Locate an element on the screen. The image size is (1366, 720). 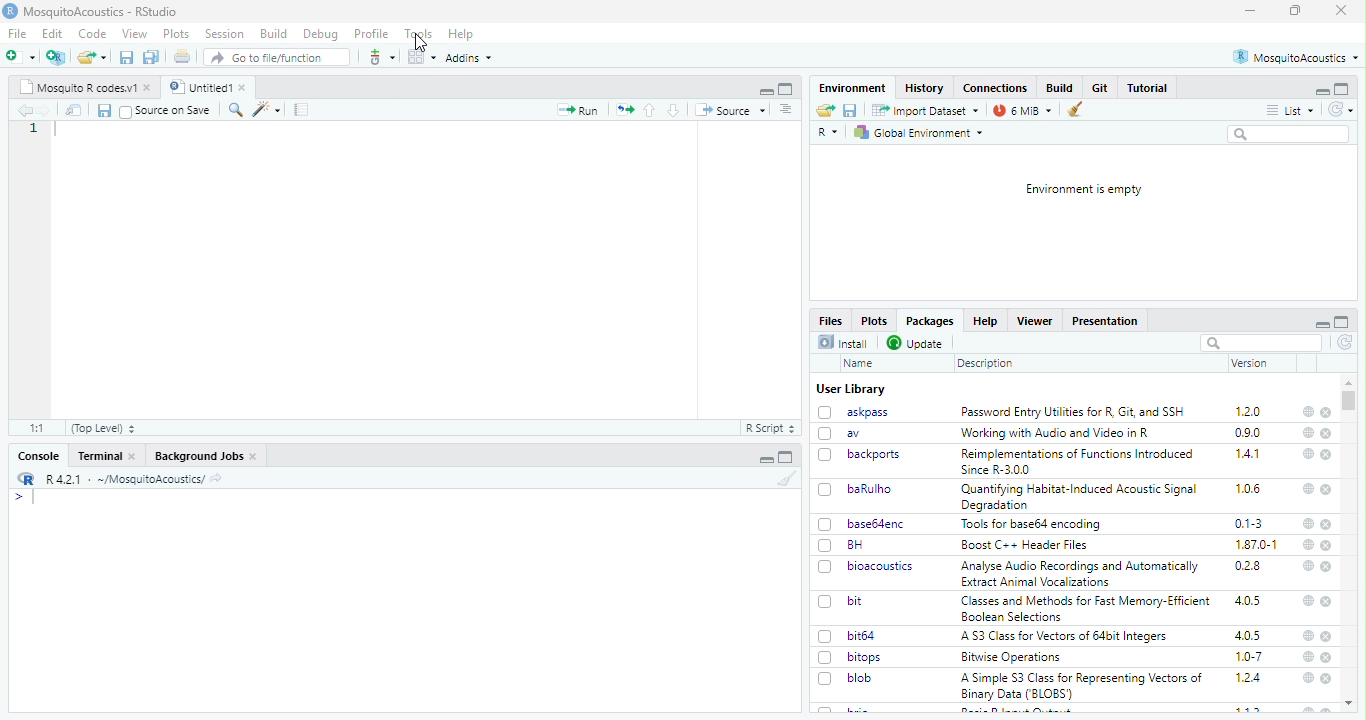
cursor is located at coordinates (421, 43).